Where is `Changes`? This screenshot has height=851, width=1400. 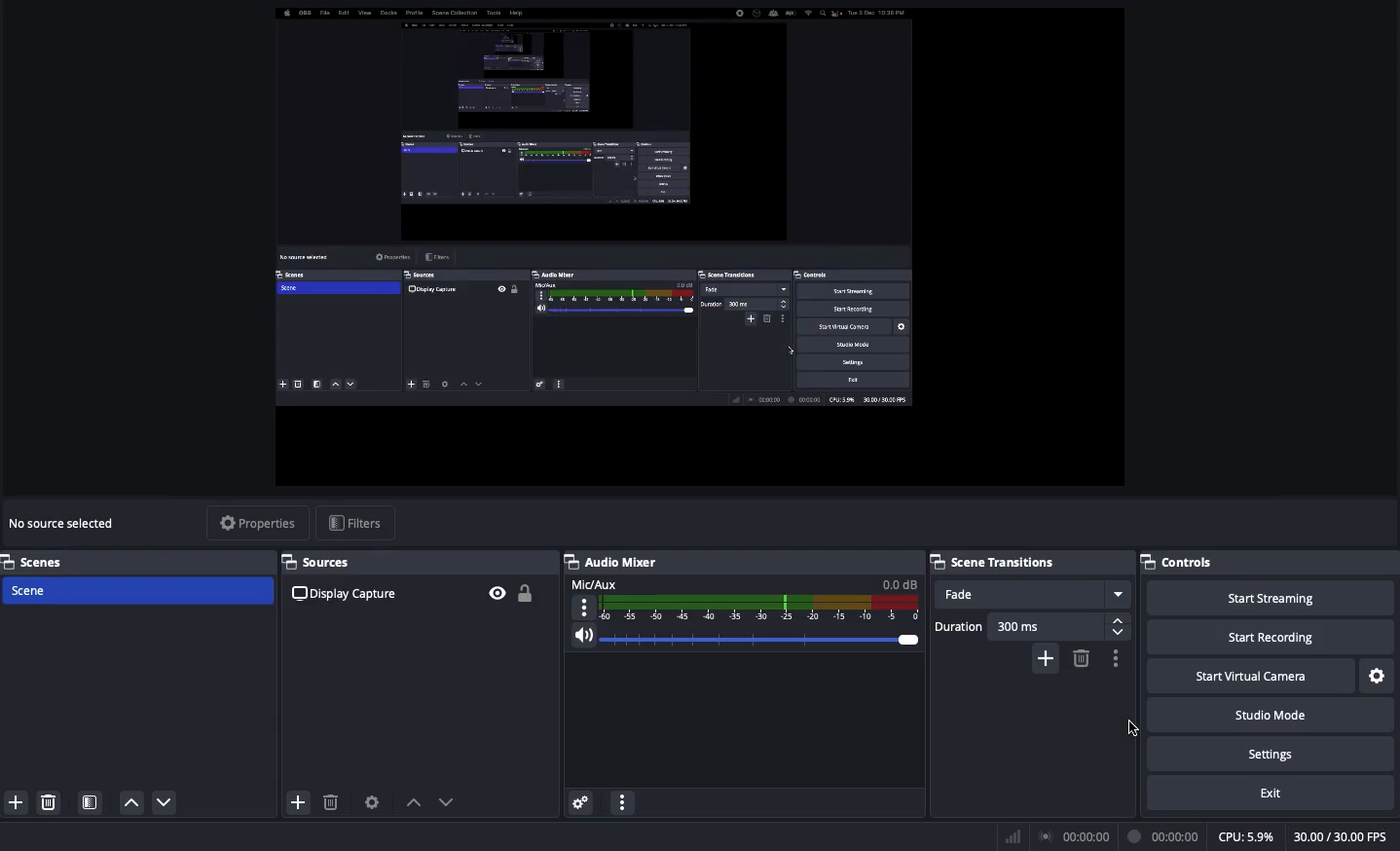 Changes is located at coordinates (679, 239).